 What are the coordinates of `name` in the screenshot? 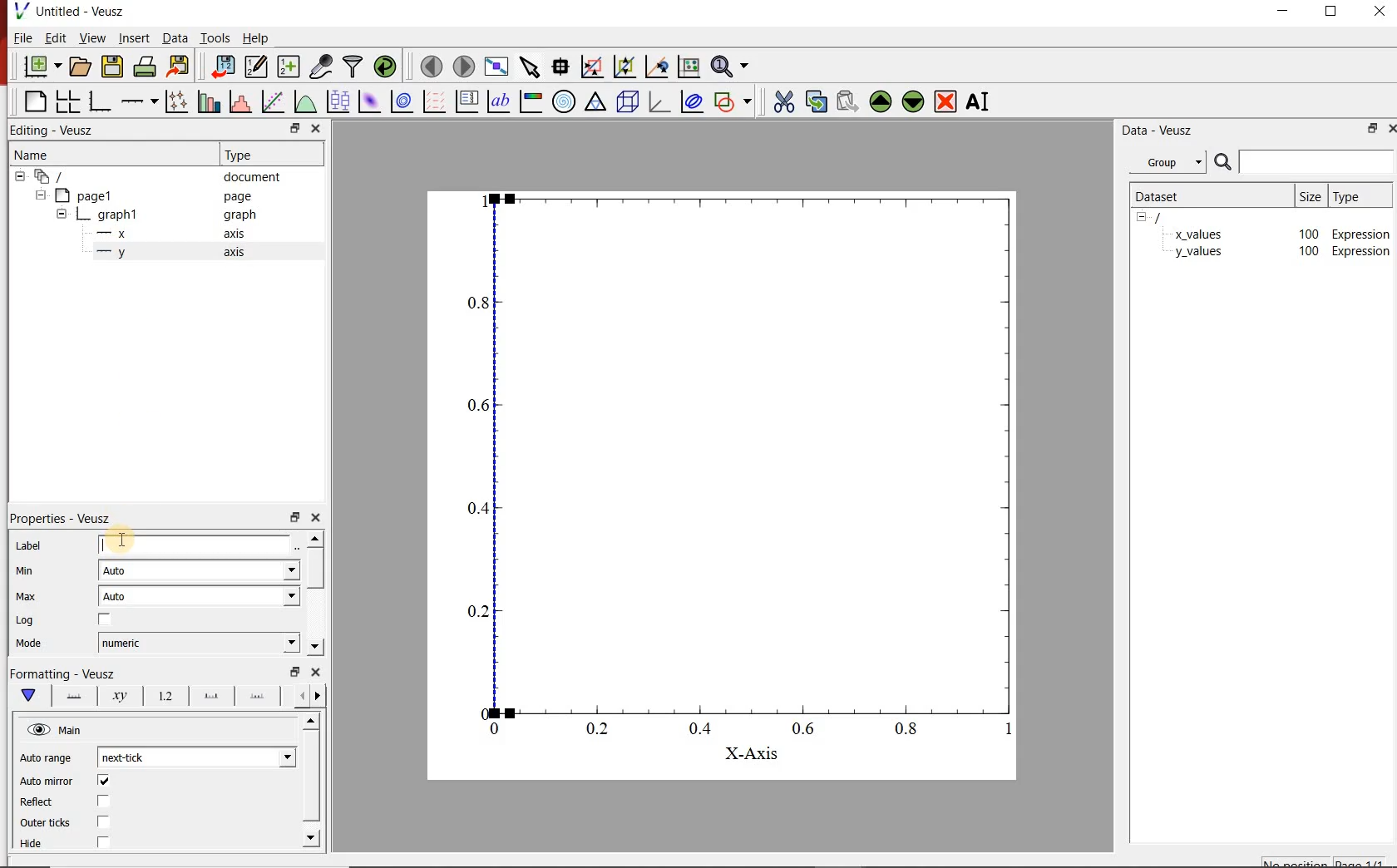 It's located at (33, 156).